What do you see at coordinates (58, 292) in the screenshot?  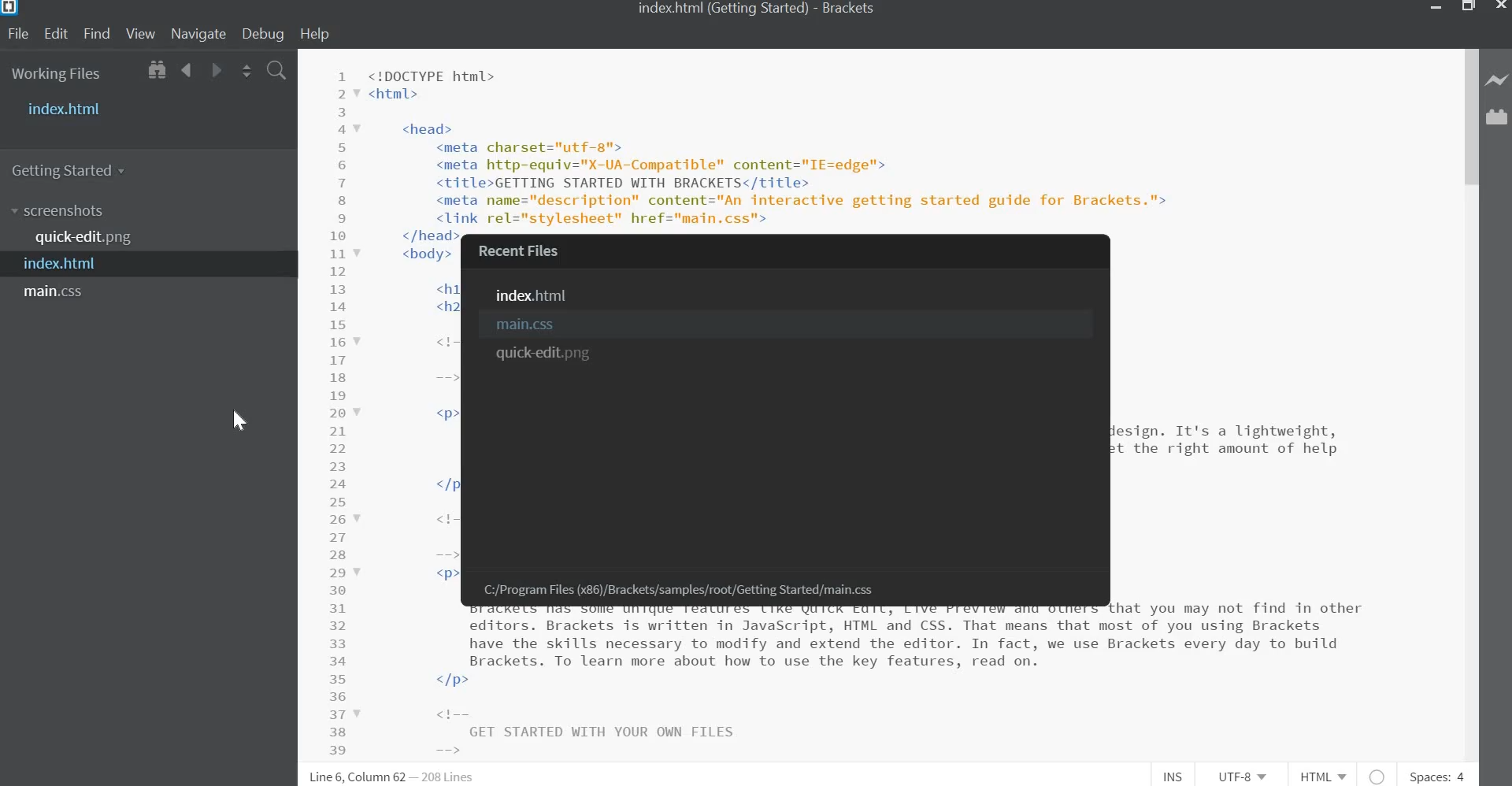 I see `main.css file` at bounding box center [58, 292].